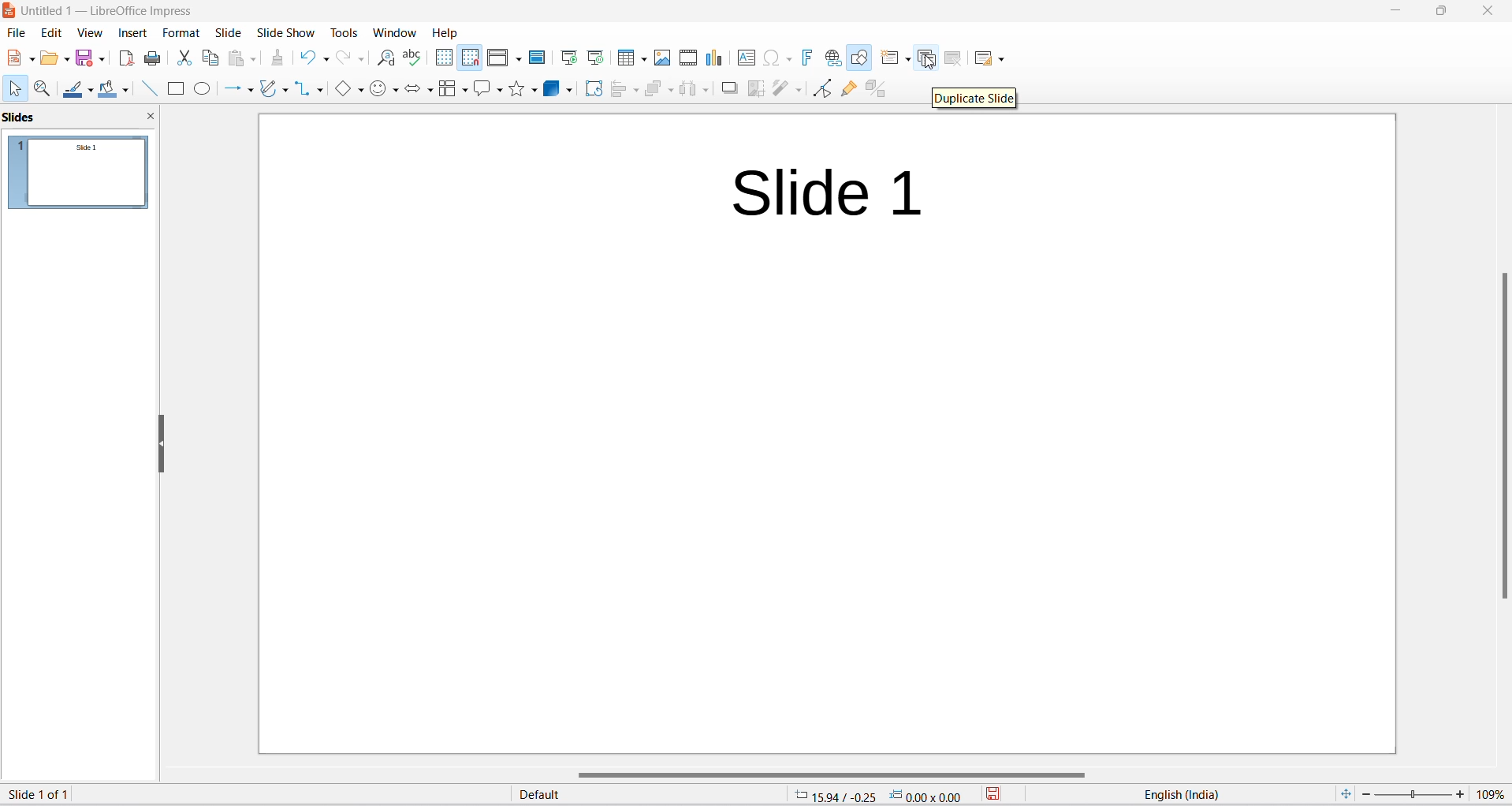  Describe the element at coordinates (17, 33) in the screenshot. I see `file` at that location.